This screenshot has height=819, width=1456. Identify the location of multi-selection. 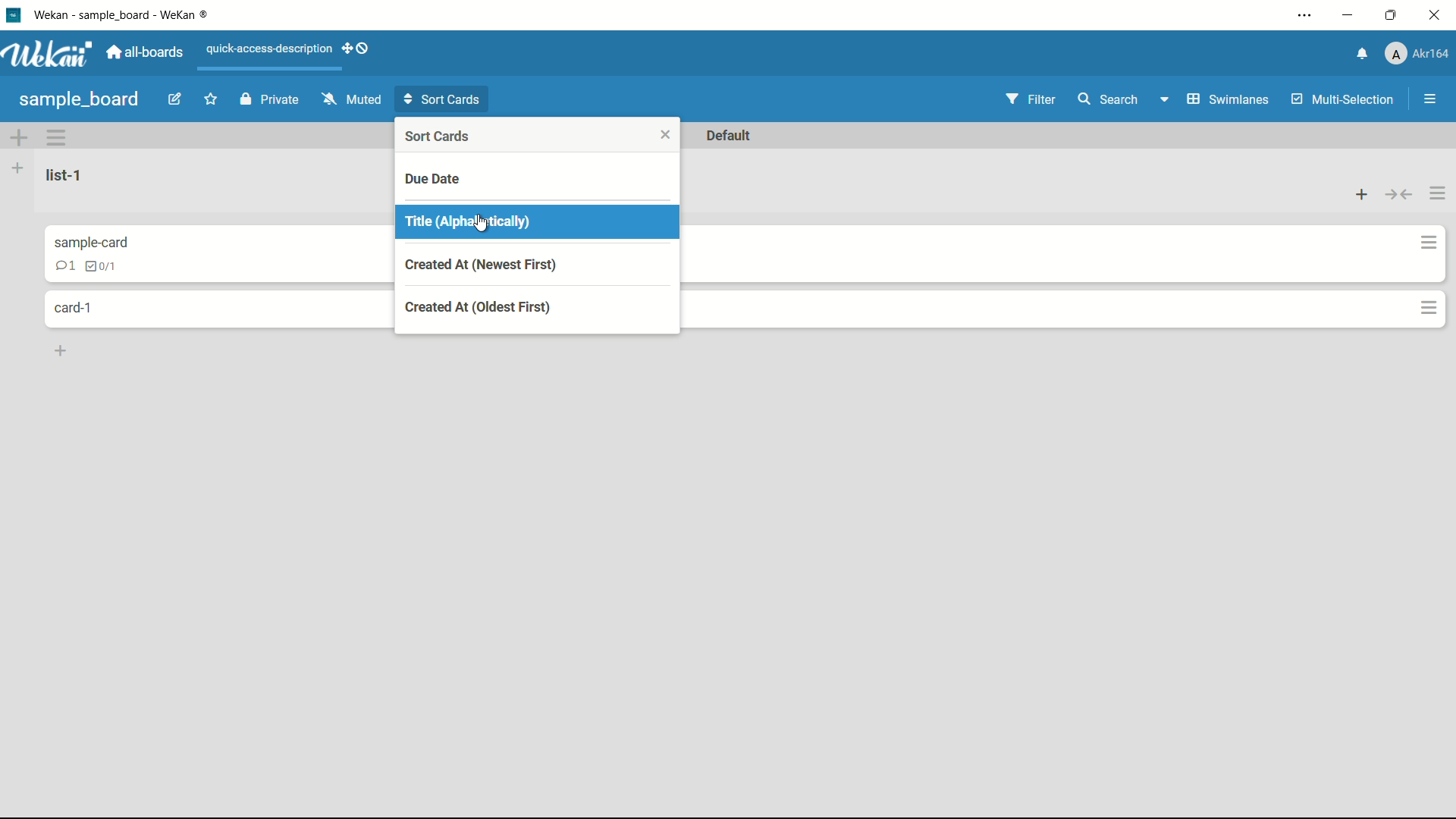
(1344, 100).